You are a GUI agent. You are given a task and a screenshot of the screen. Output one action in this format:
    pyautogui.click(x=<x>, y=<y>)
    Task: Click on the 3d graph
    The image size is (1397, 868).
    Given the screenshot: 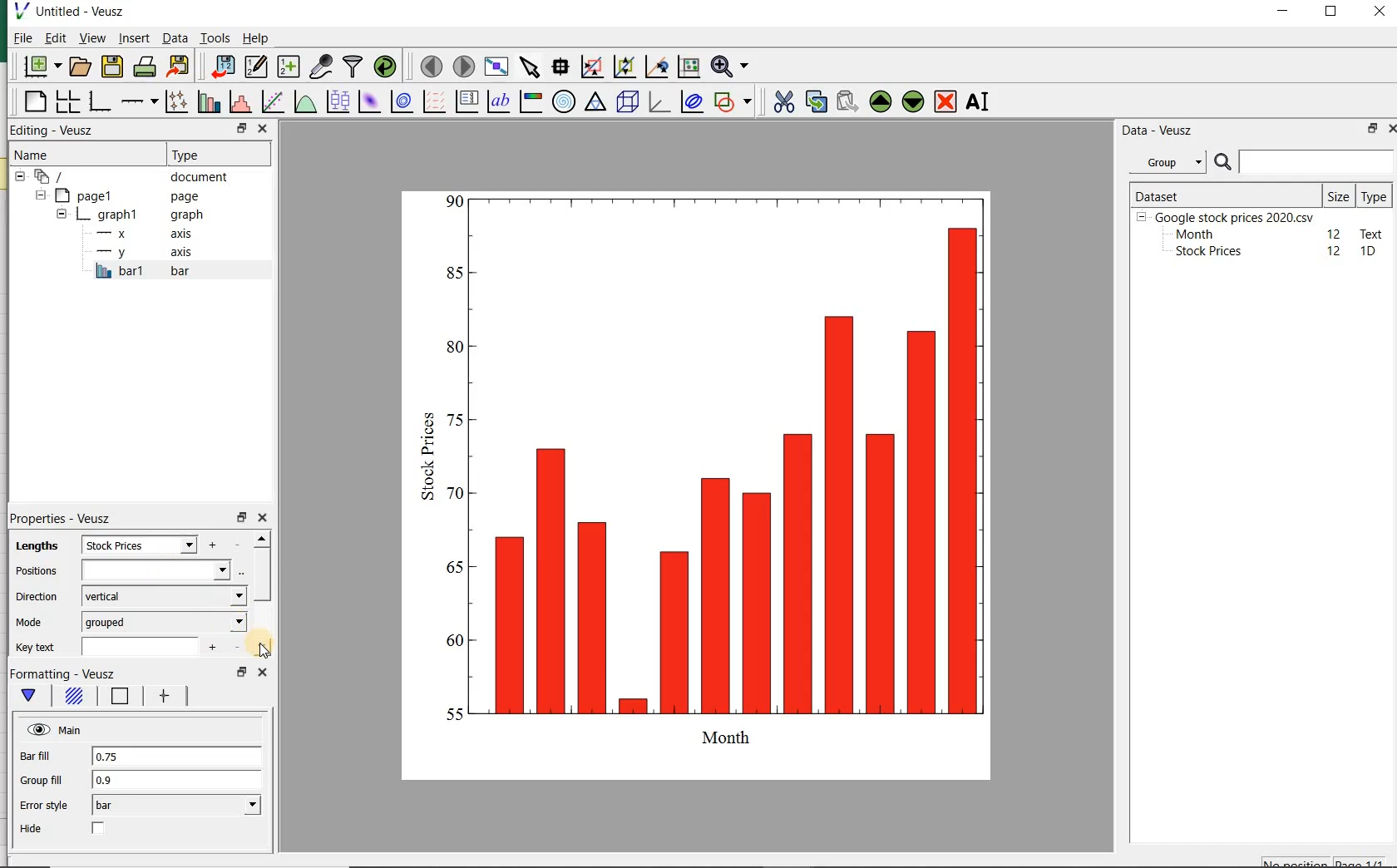 What is the action you would take?
    pyautogui.click(x=659, y=103)
    